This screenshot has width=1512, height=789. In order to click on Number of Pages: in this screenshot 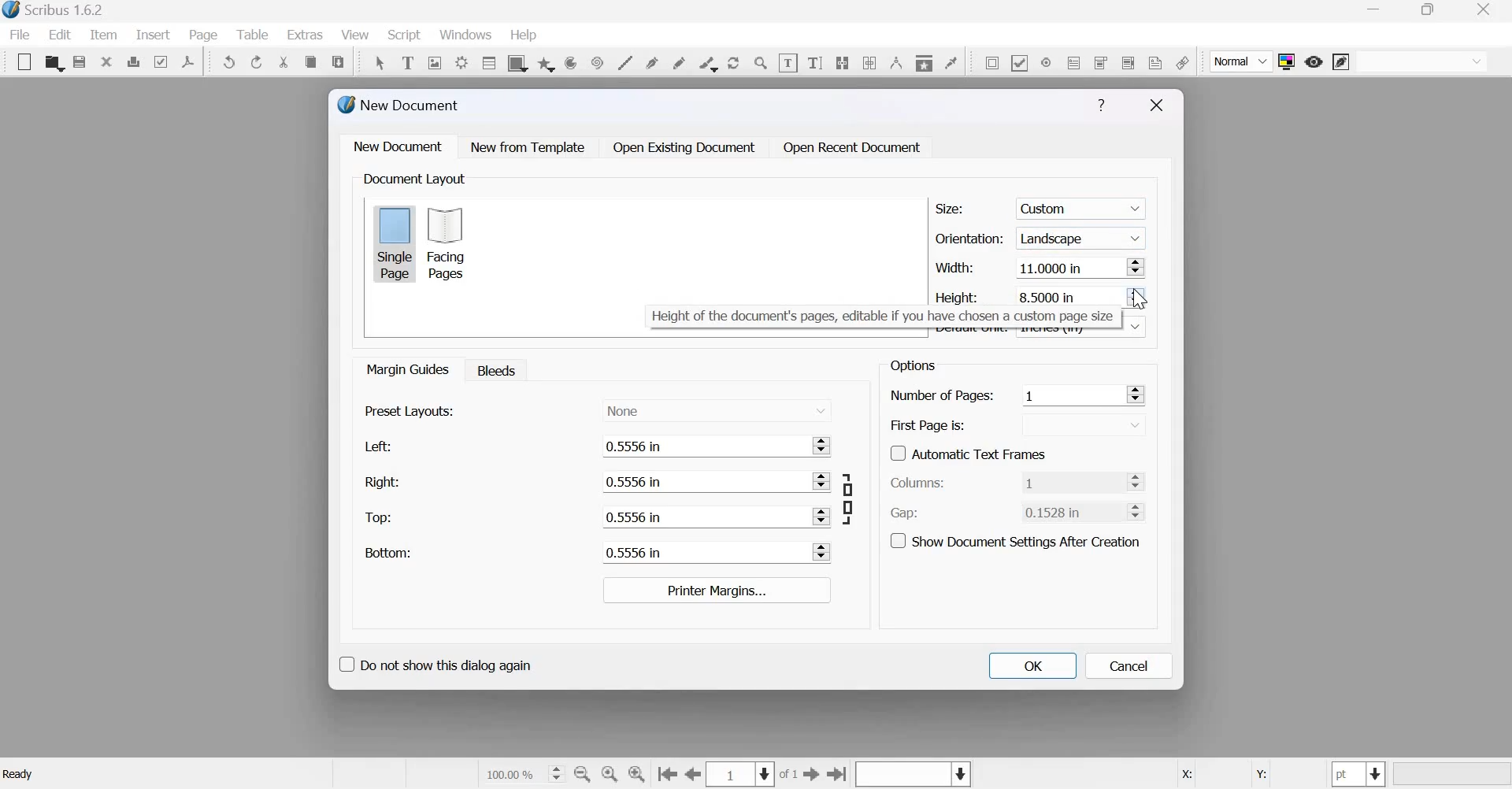, I will do `click(942, 397)`.